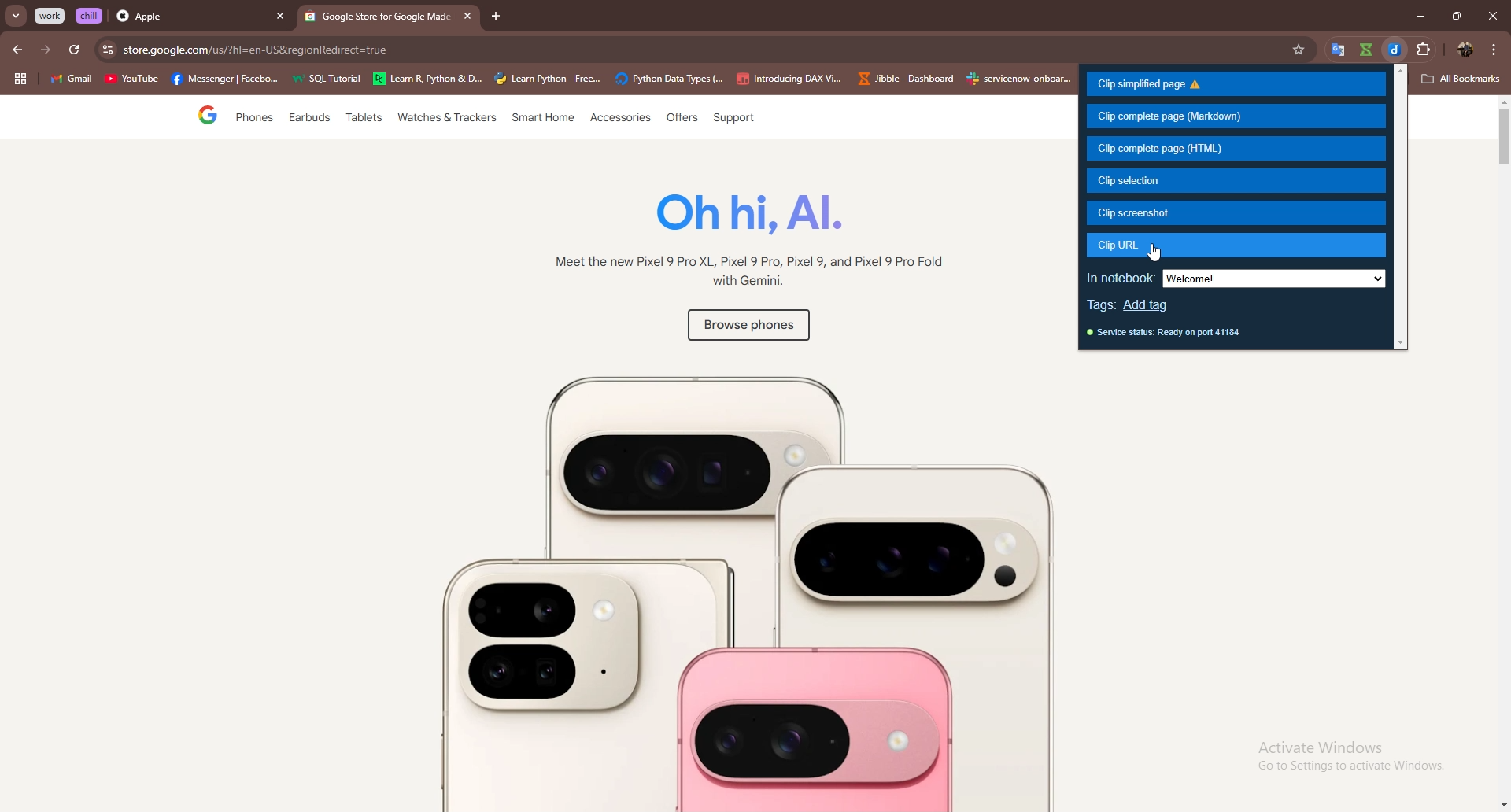  I want to click on tags, so click(1103, 305).